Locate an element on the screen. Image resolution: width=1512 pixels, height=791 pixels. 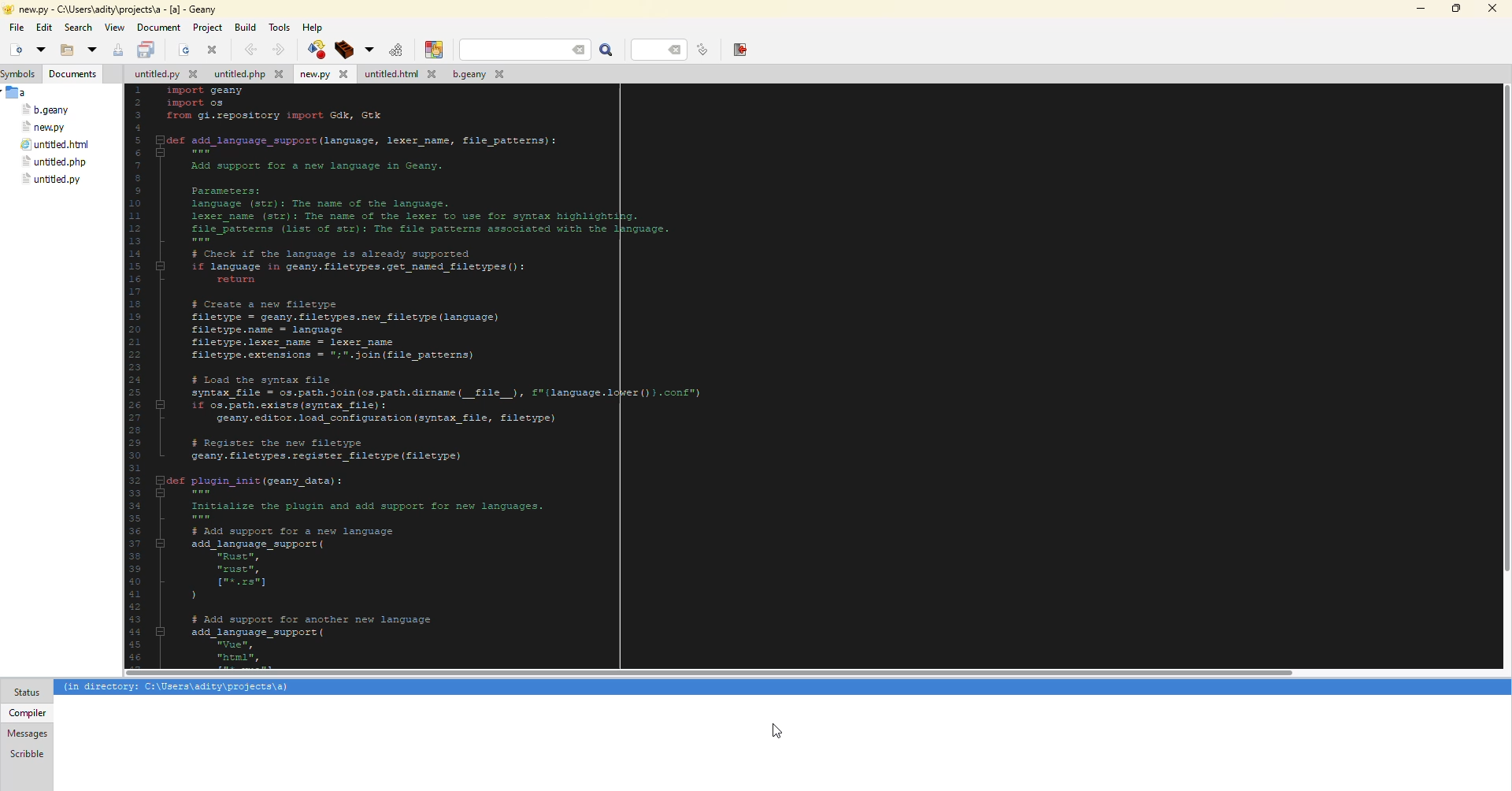
new is located at coordinates (16, 50).